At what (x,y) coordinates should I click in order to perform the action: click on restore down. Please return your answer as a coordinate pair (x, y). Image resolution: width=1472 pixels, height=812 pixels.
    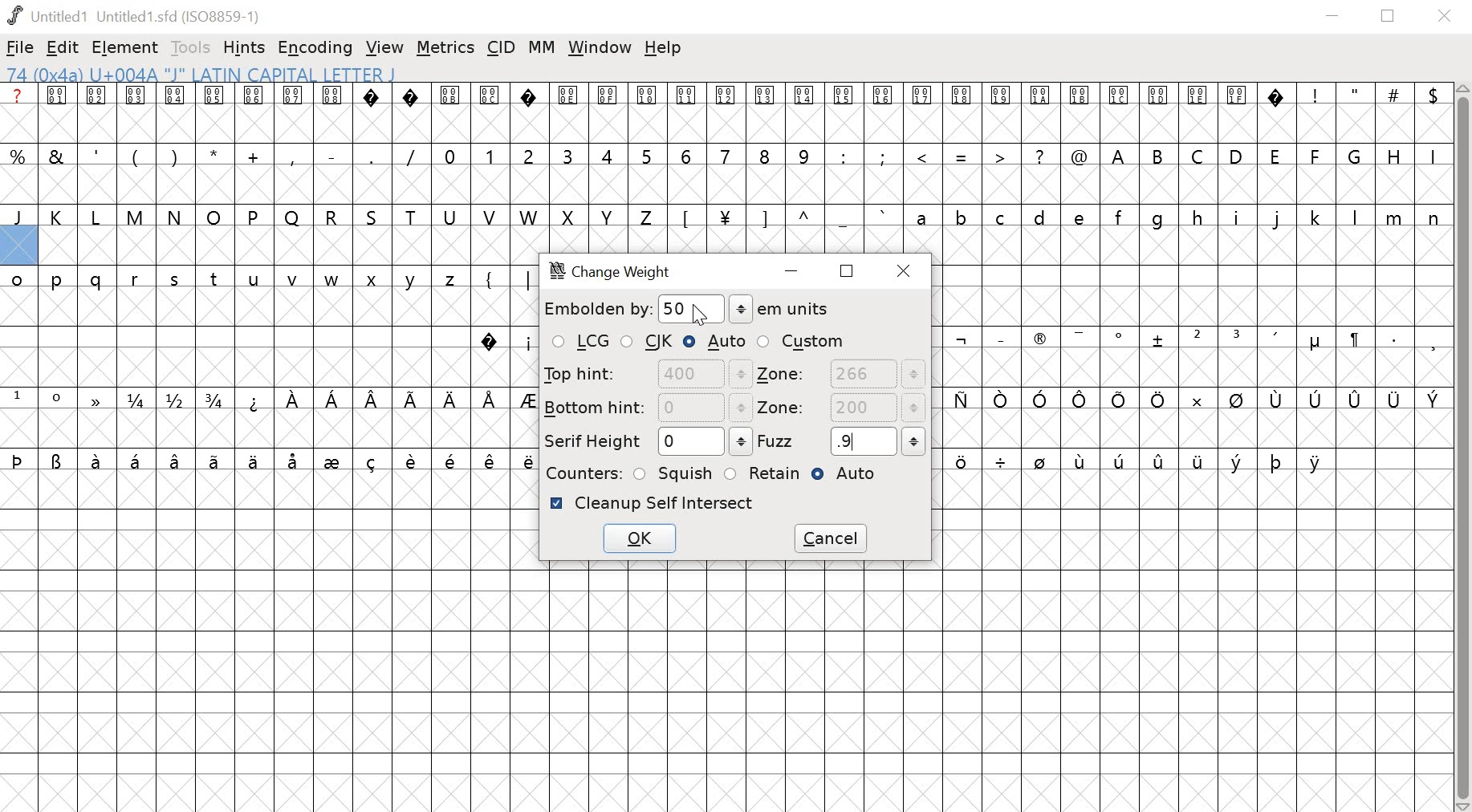
    Looking at the image, I should click on (848, 270).